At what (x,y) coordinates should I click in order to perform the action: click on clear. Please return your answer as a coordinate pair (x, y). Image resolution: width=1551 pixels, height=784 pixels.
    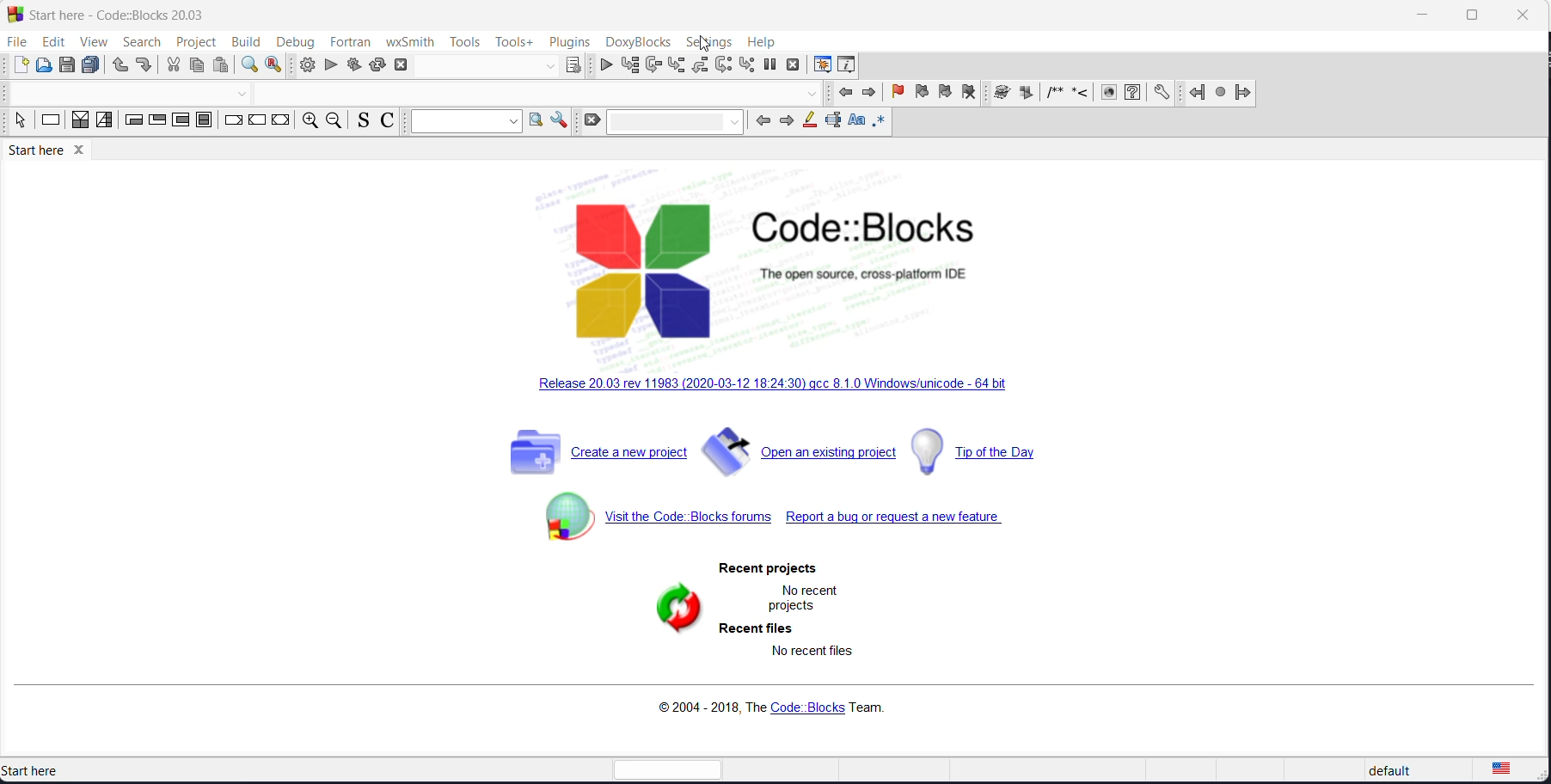
    Looking at the image, I should click on (590, 120).